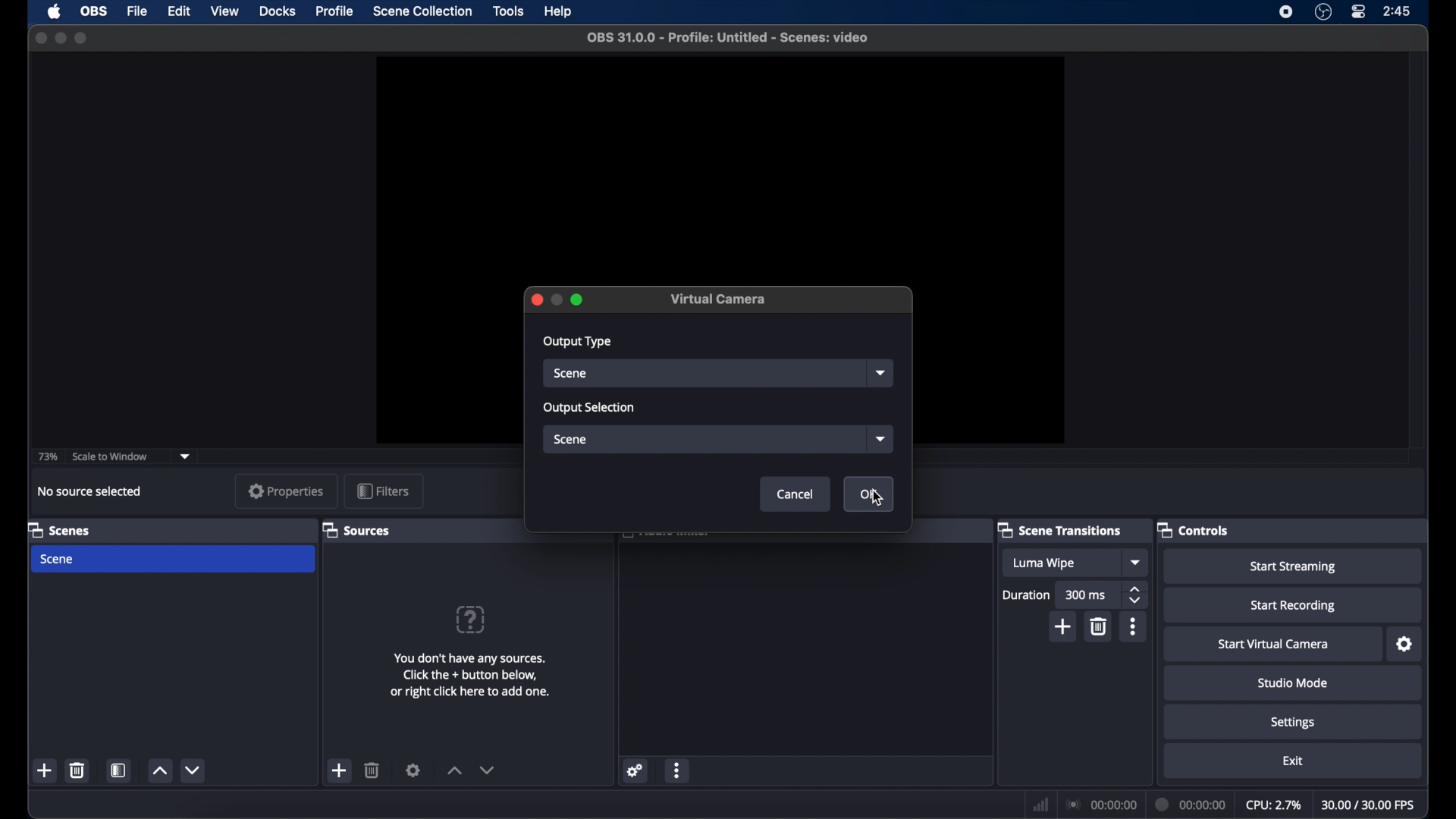  What do you see at coordinates (1088, 595) in the screenshot?
I see `300 ms` at bounding box center [1088, 595].